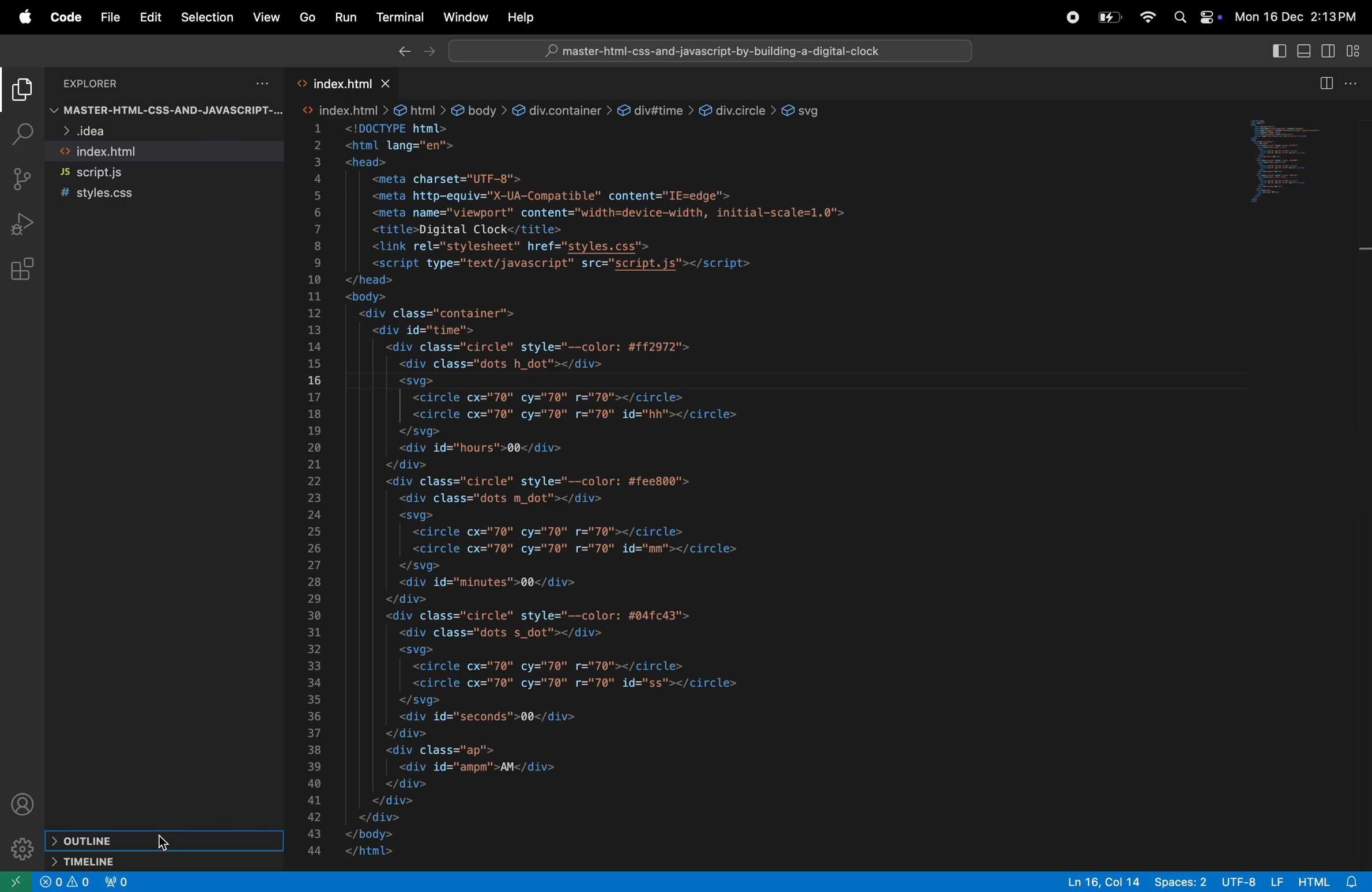  What do you see at coordinates (523, 17) in the screenshot?
I see `help` at bounding box center [523, 17].